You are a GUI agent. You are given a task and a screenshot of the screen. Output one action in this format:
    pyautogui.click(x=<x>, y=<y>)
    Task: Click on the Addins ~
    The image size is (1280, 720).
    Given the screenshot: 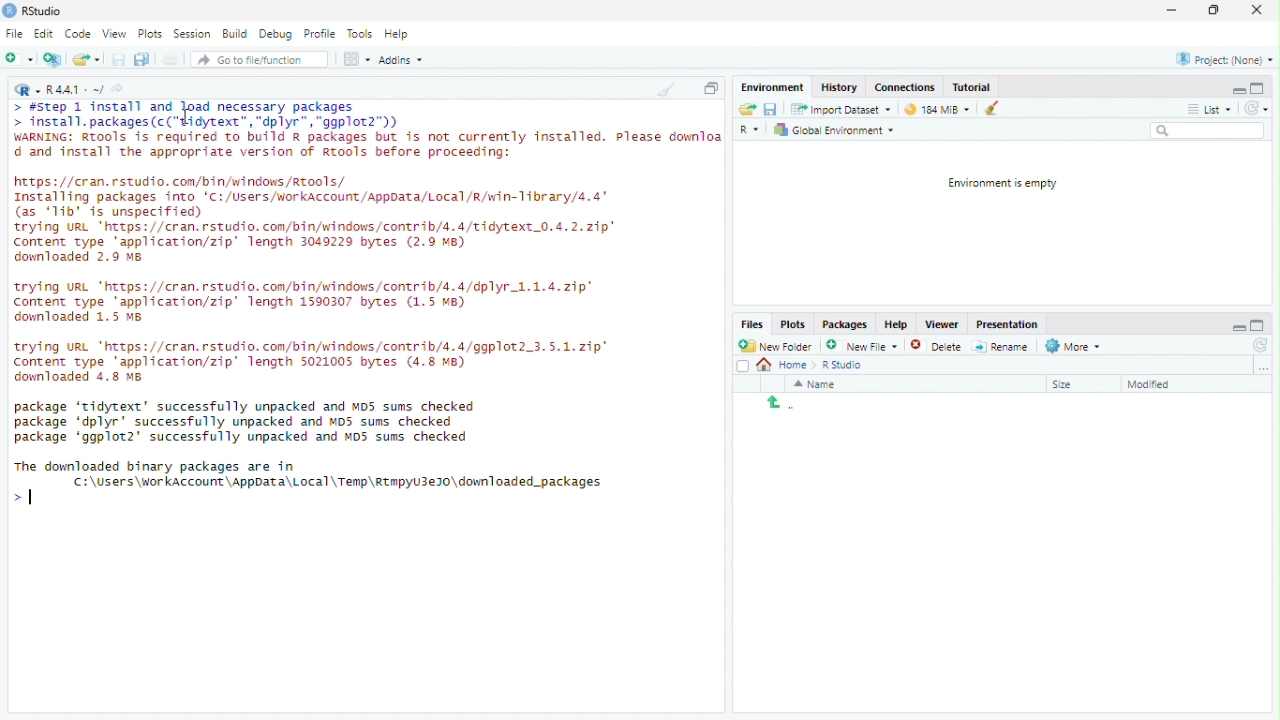 What is the action you would take?
    pyautogui.click(x=400, y=59)
    